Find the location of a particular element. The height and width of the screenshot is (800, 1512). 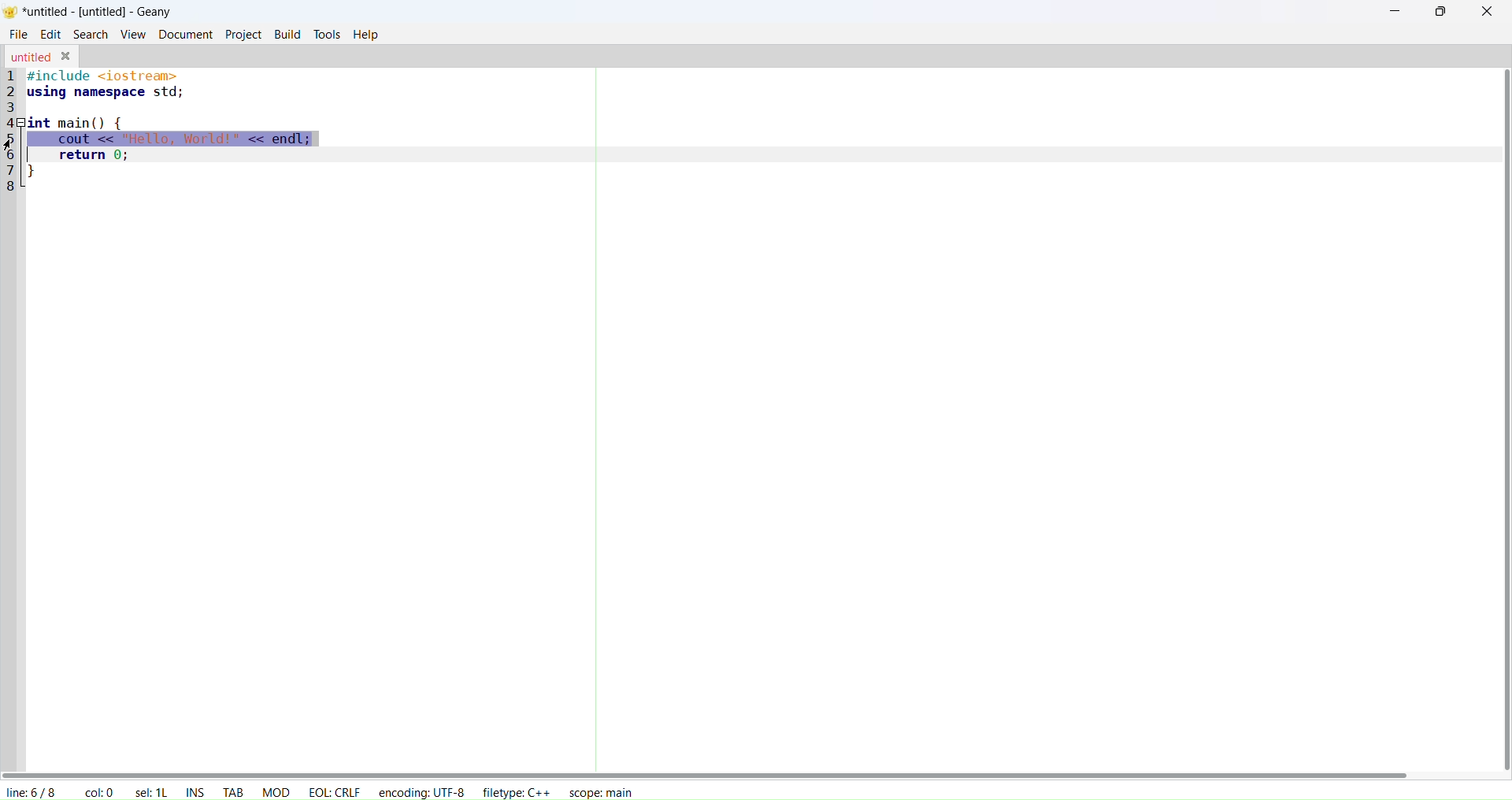

search is located at coordinates (91, 34).